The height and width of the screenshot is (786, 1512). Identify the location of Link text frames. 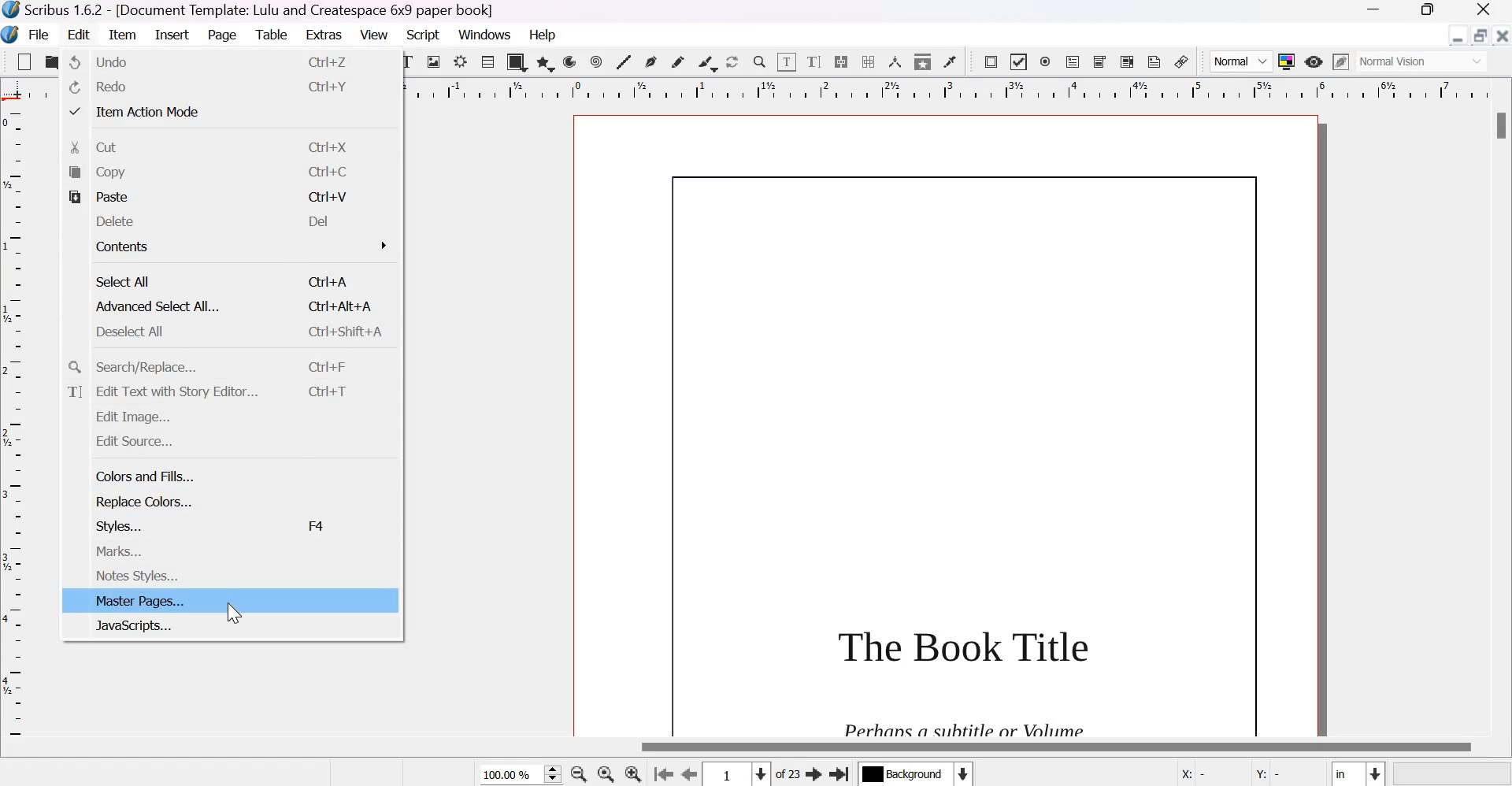
(839, 61).